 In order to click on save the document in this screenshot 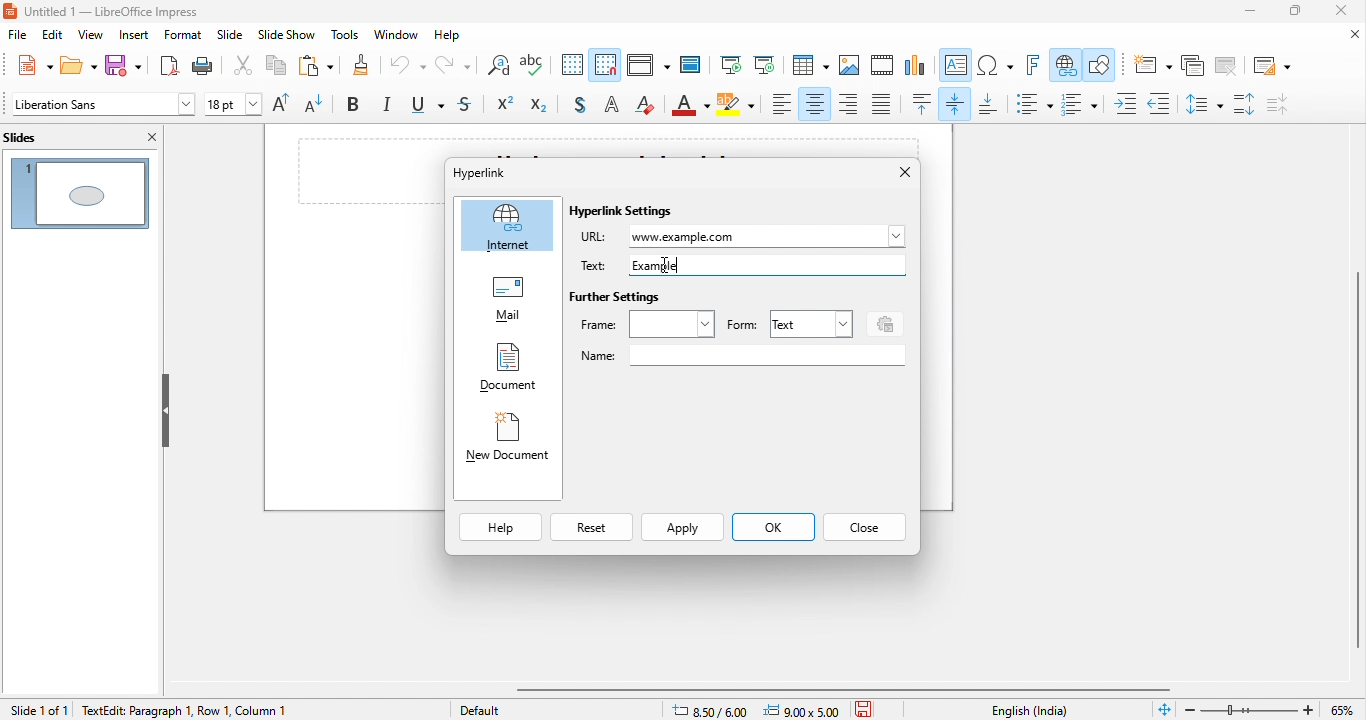, I will do `click(870, 708)`.